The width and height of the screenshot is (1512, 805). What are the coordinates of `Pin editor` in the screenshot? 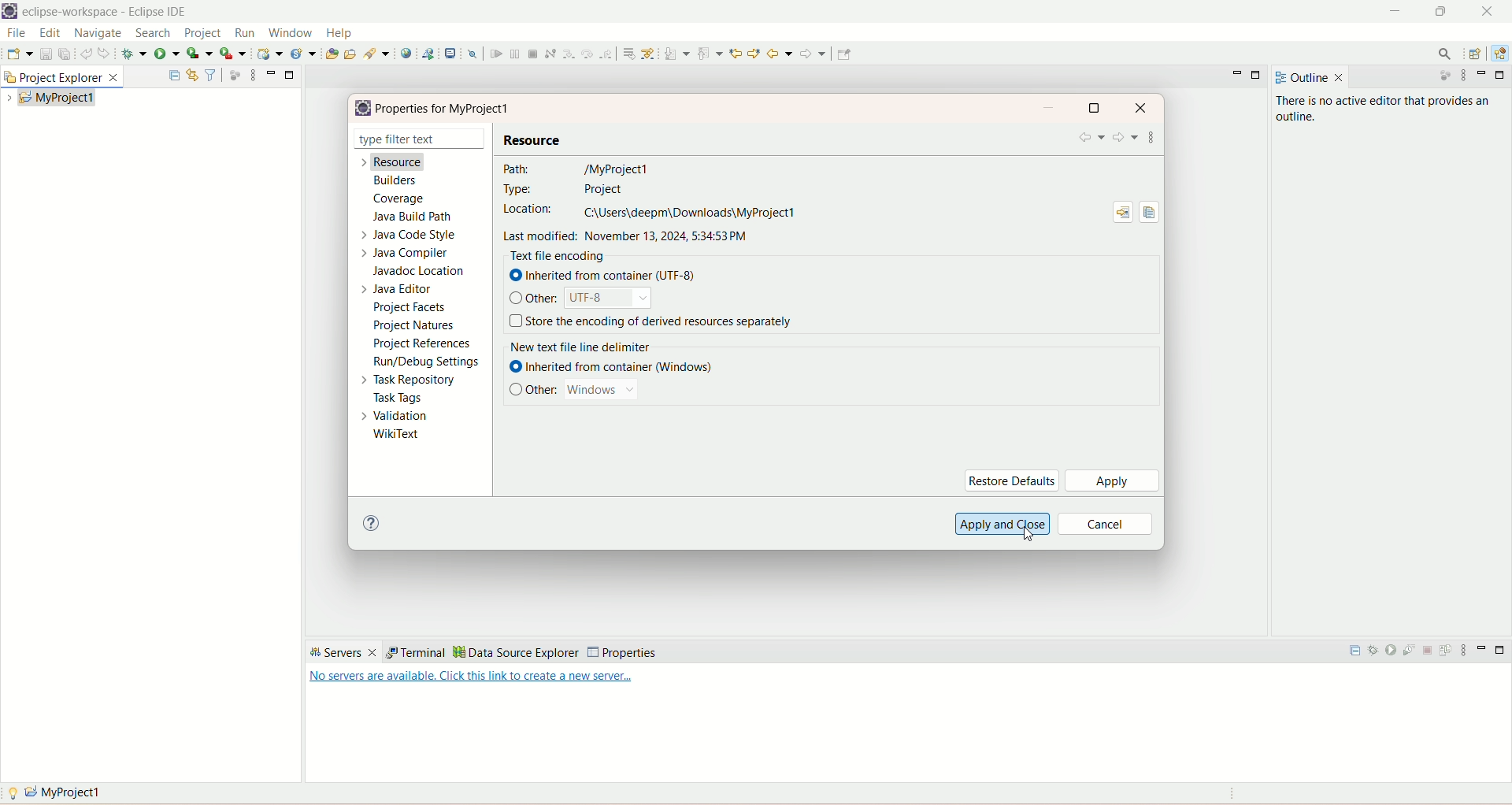 It's located at (845, 54).